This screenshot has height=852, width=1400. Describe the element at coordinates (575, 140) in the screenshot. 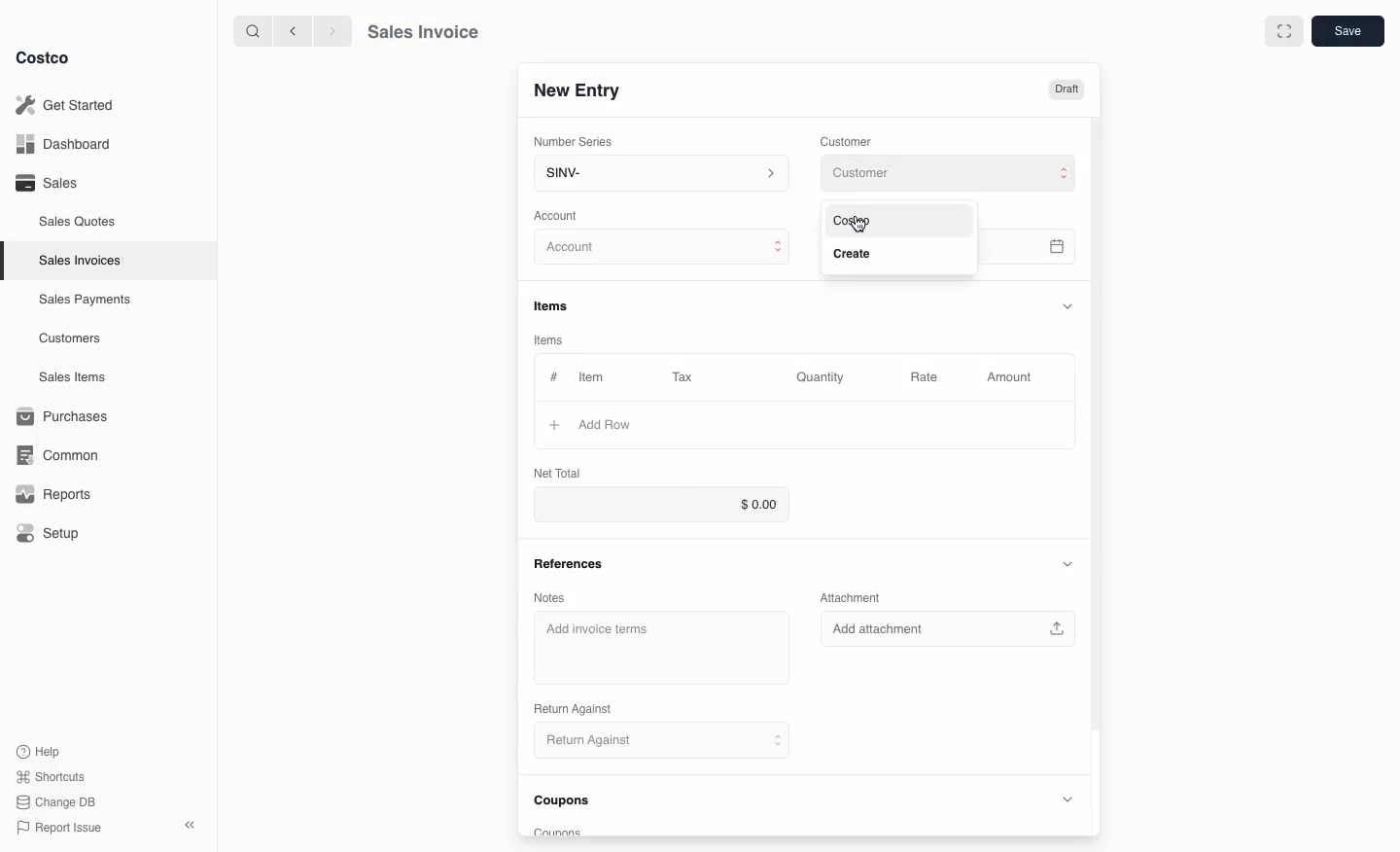

I see `Number Series` at that location.